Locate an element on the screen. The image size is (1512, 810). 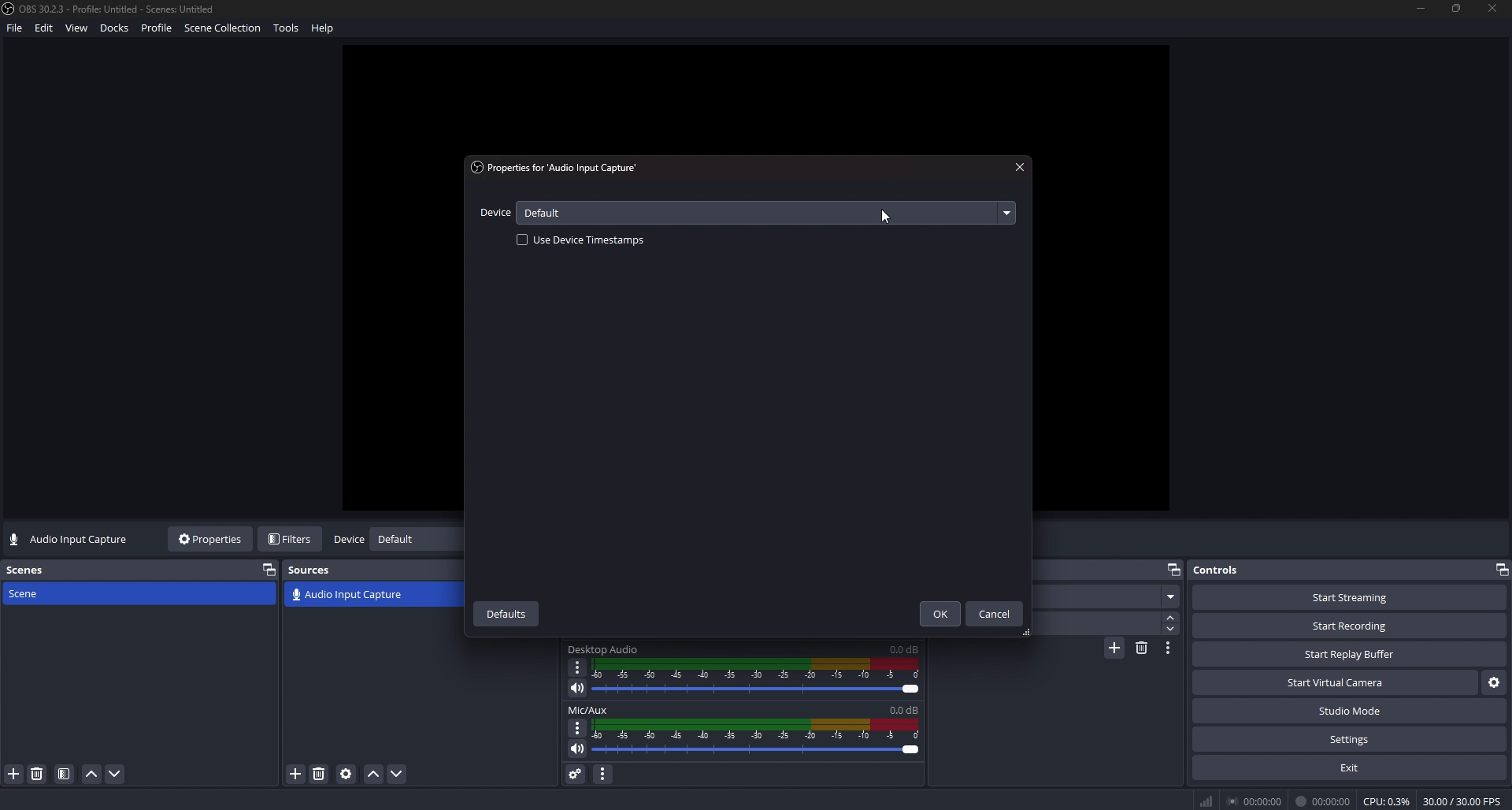
close is located at coordinates (1493, 10).